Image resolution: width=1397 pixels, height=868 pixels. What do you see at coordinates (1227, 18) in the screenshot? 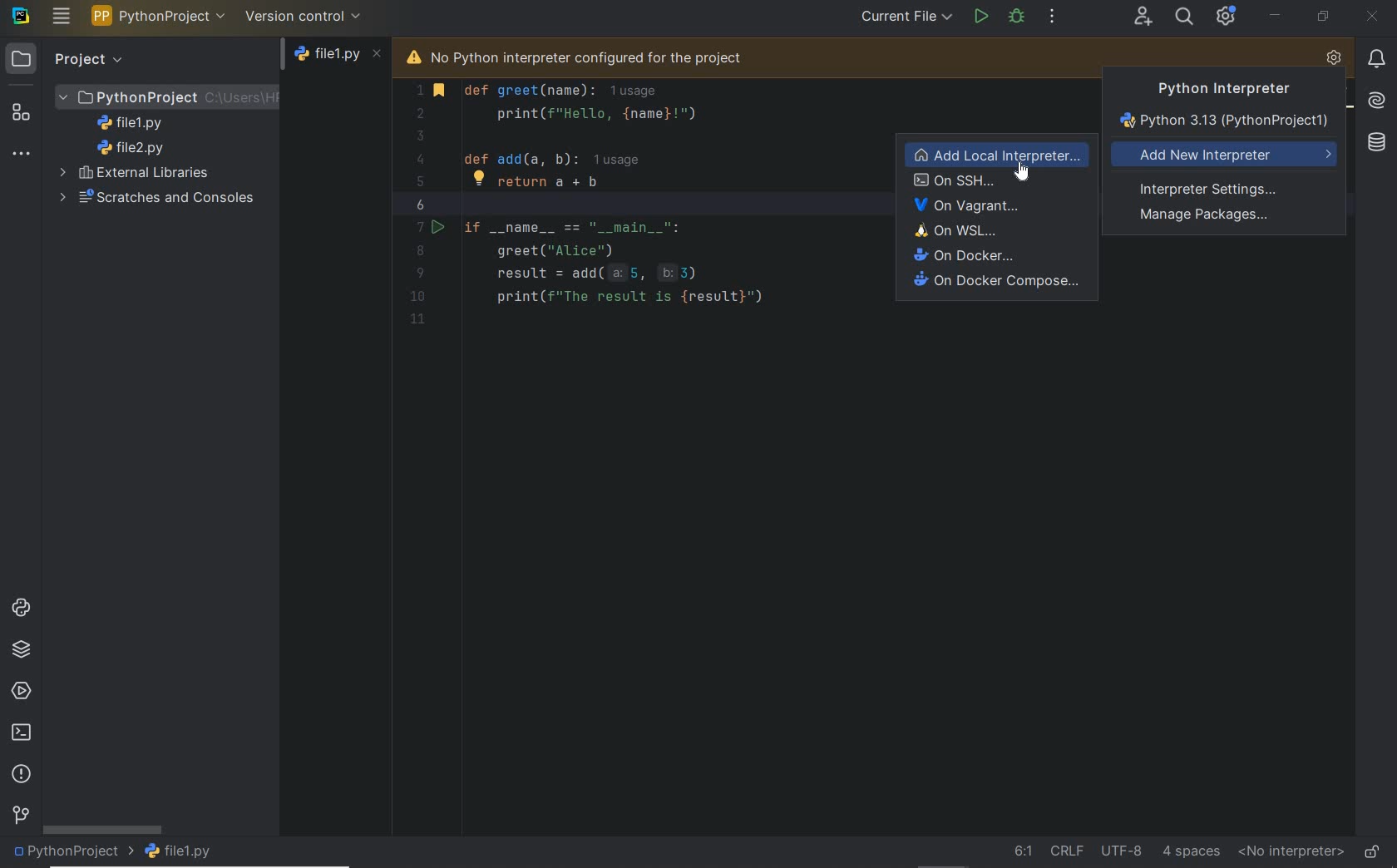
I see `Ide and Project Settings` at bounding box center [1227, 18].